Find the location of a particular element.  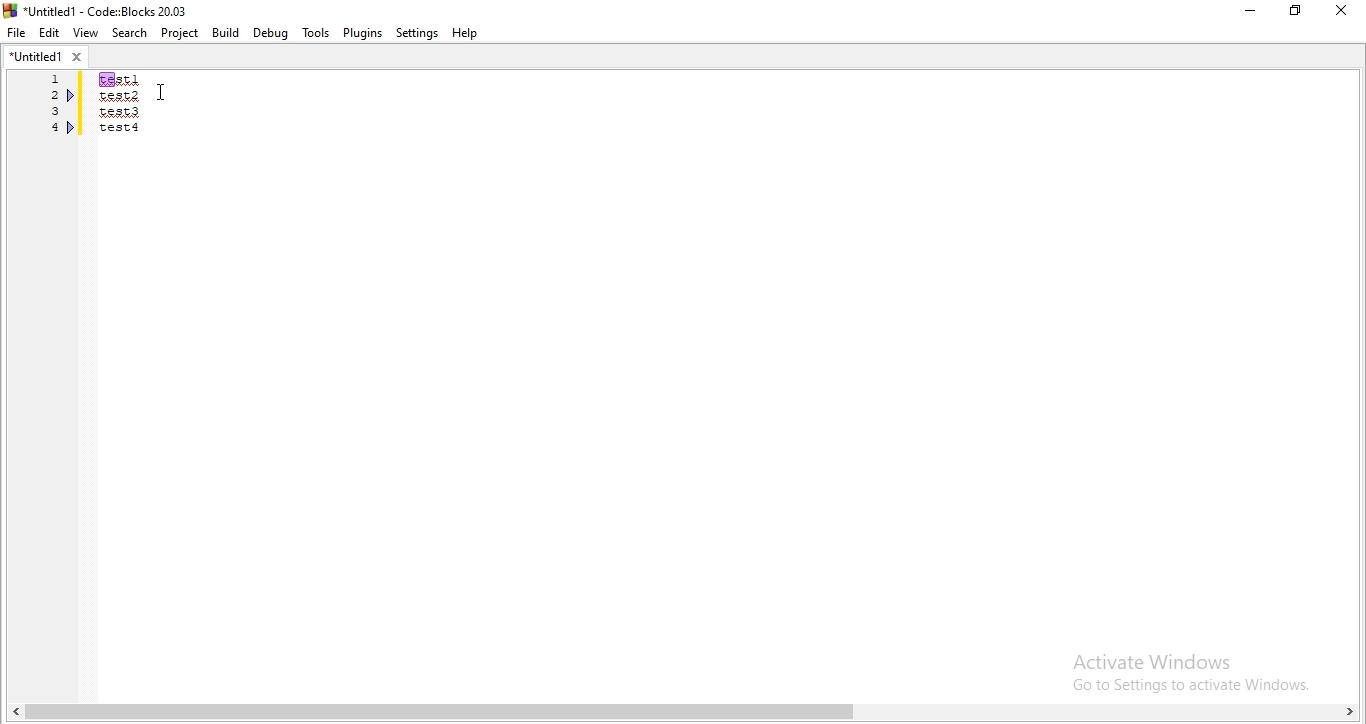

Maximize is located at coordinates (1299, 13).